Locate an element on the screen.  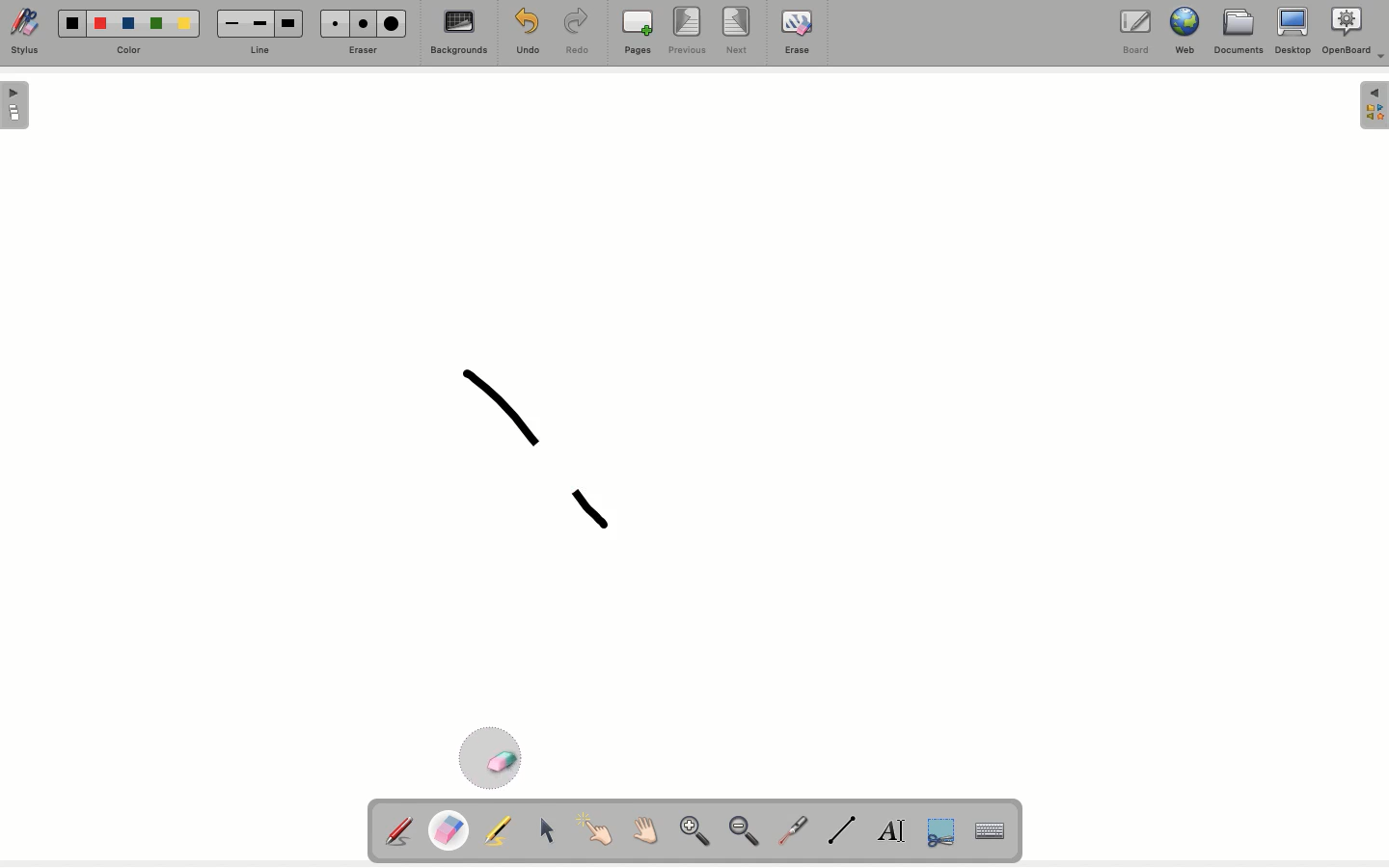
Zoom out is located at coordinates (749, 833).